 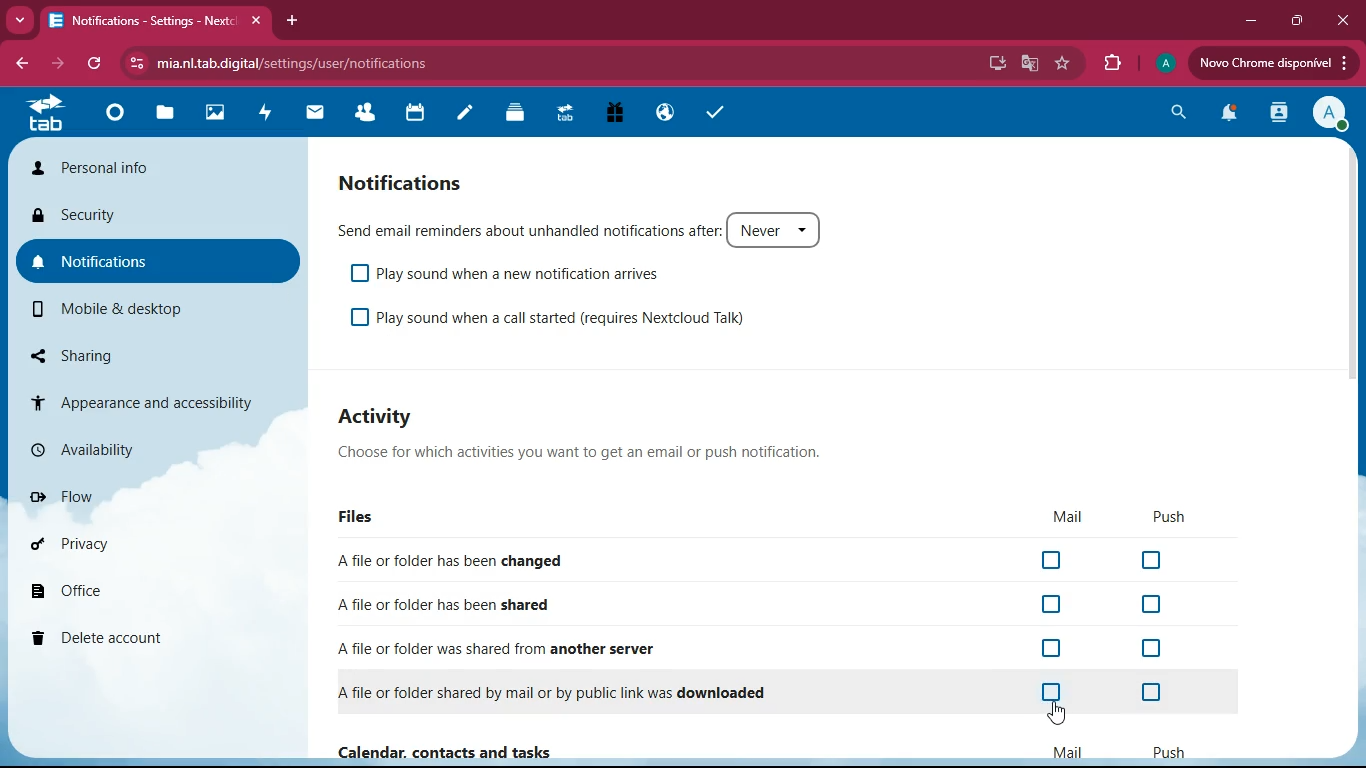 I want to click on appearance, so click(x=150, y=399).